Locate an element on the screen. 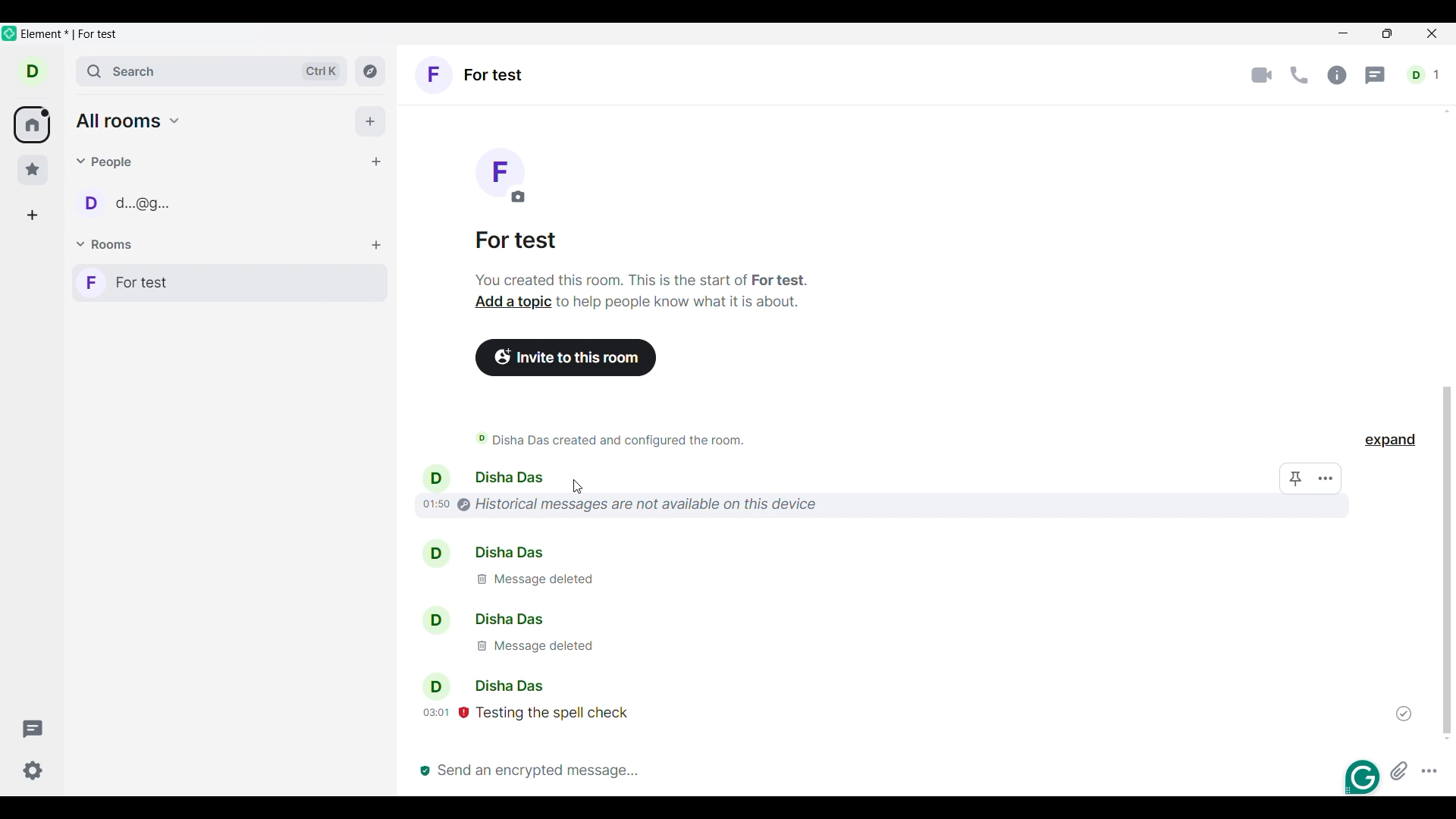   all rooms is located at coordinates (129, 121).